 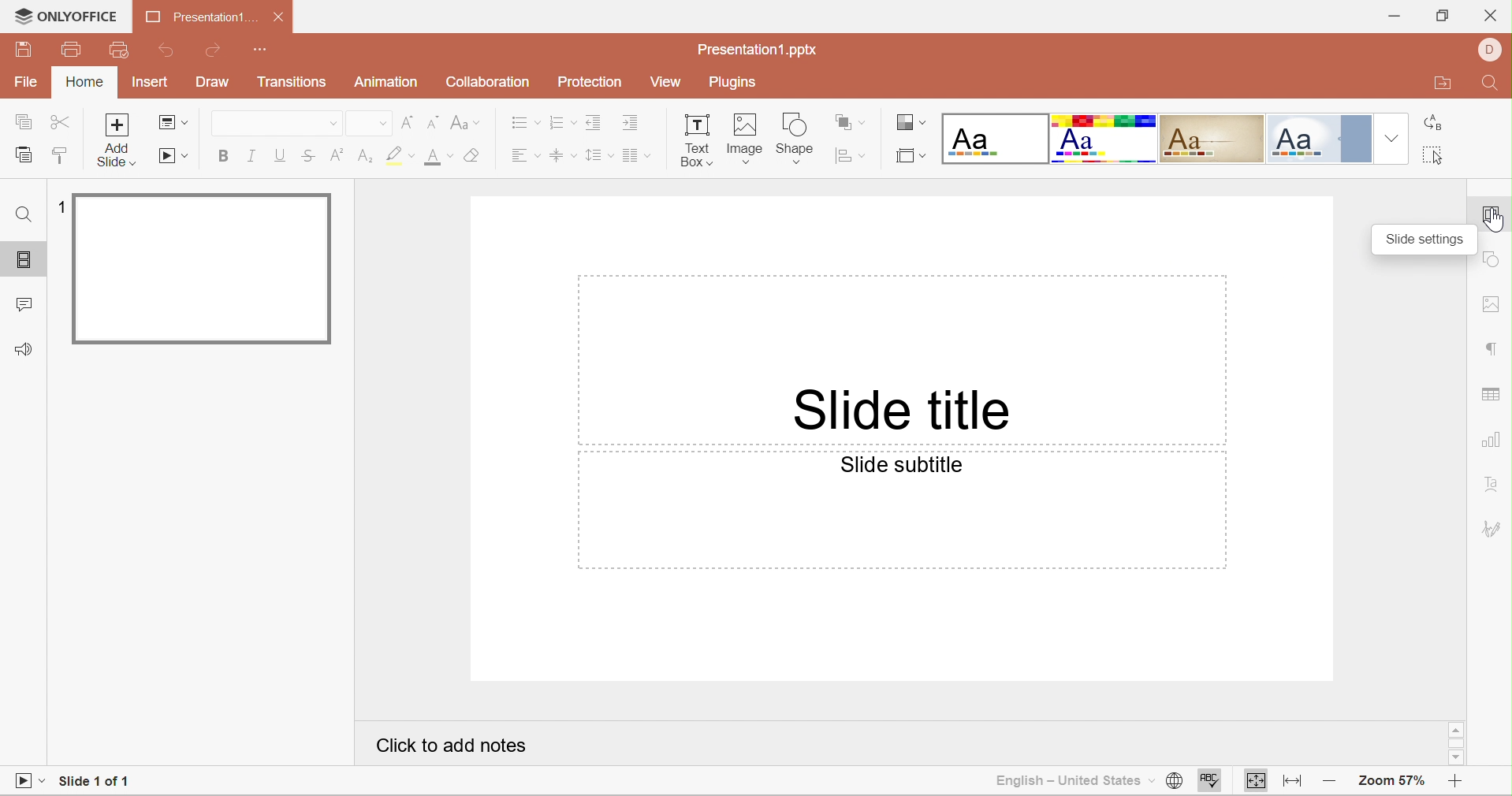 What do you see at coordinates (24, 260) in the screenshot?
I see `Slides` at bounding box center [24, 260].